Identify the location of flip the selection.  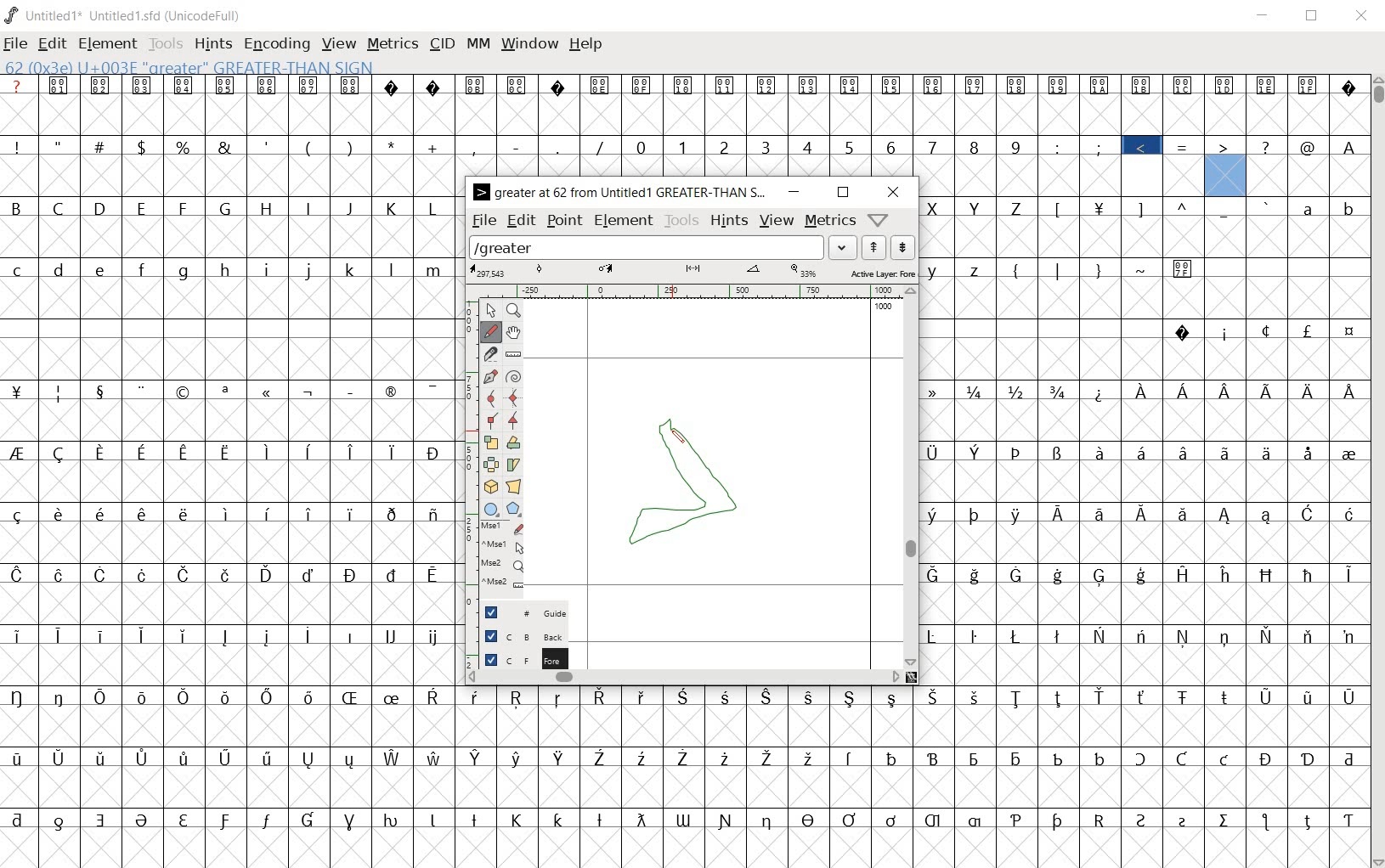
(490, 465).